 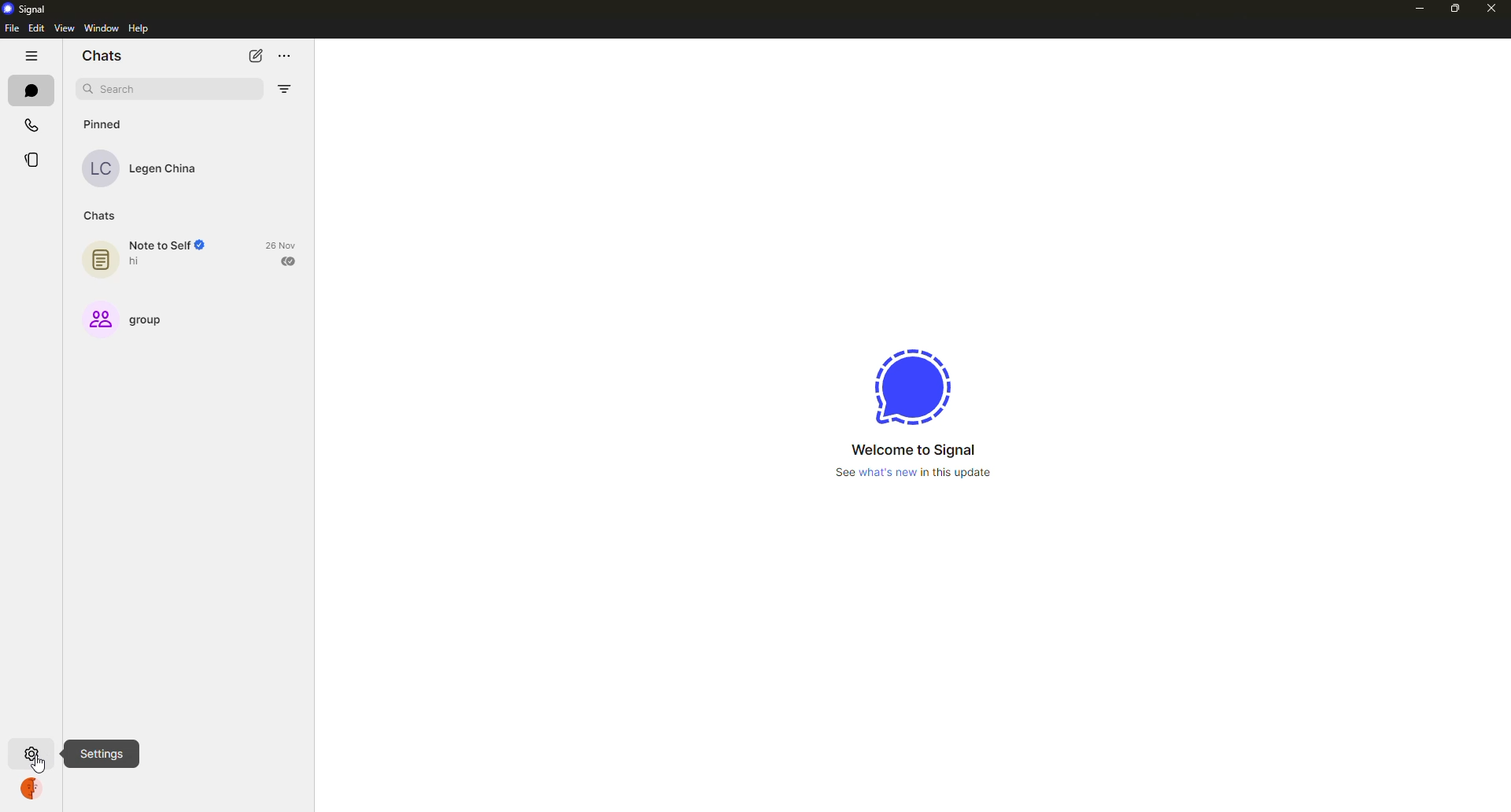 What do you see at coordinates (104, 216) in the screenshot?
I see `chats` at bounding box center [104, 216].